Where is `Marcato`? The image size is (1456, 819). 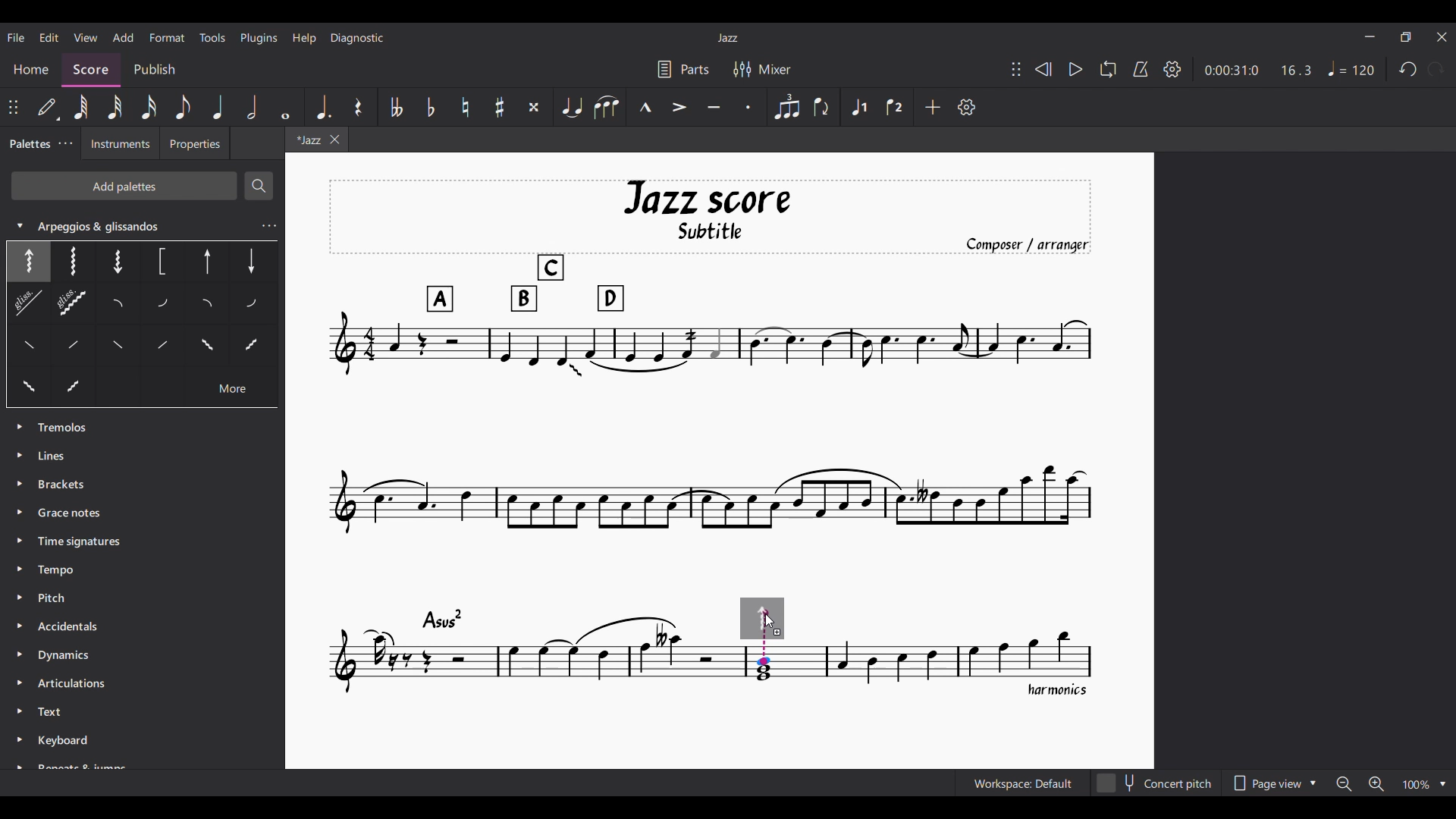 Marcato is located at coordinates (646, 106).